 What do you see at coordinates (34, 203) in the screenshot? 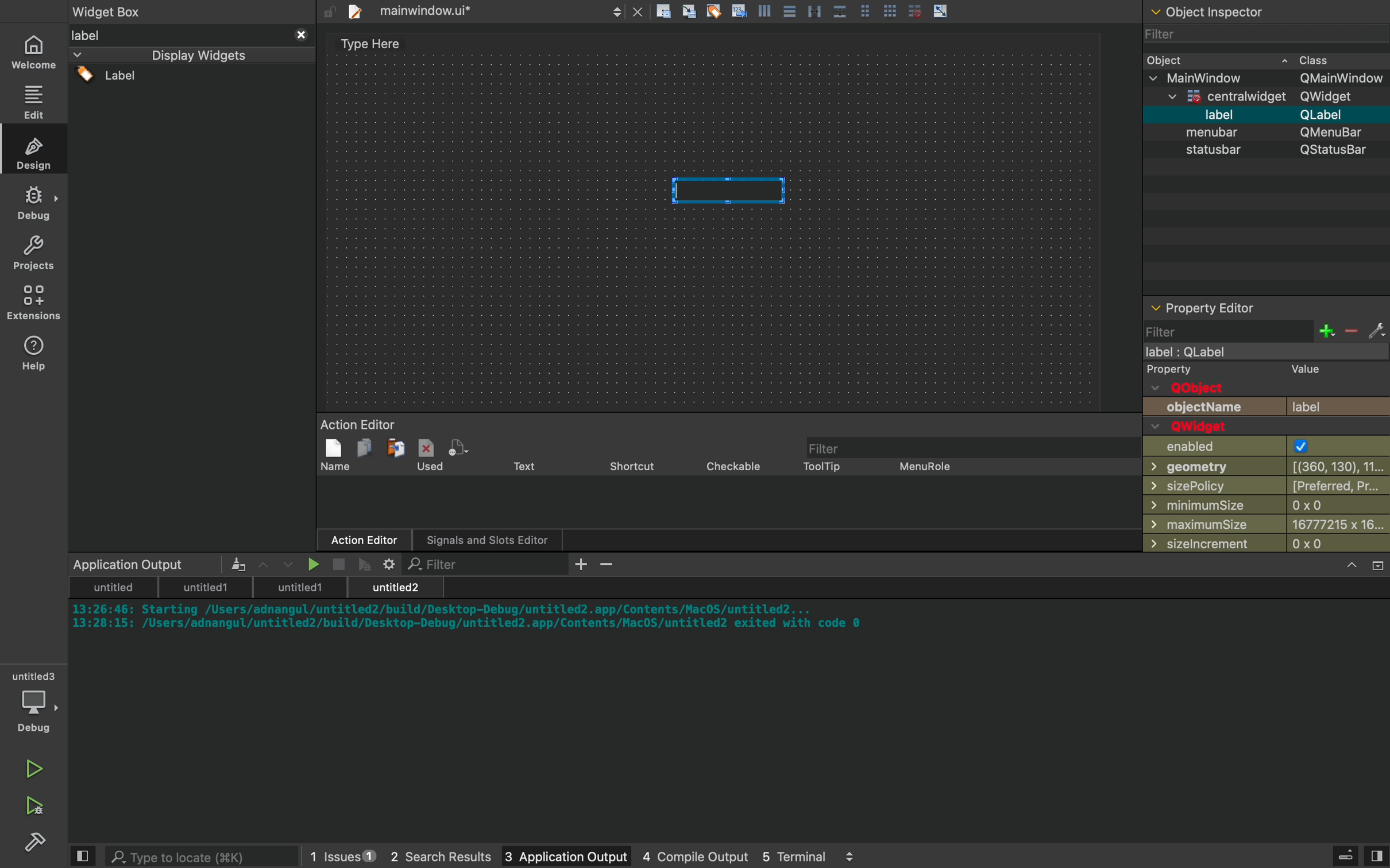
I see `` at bounding box center [34, 203].